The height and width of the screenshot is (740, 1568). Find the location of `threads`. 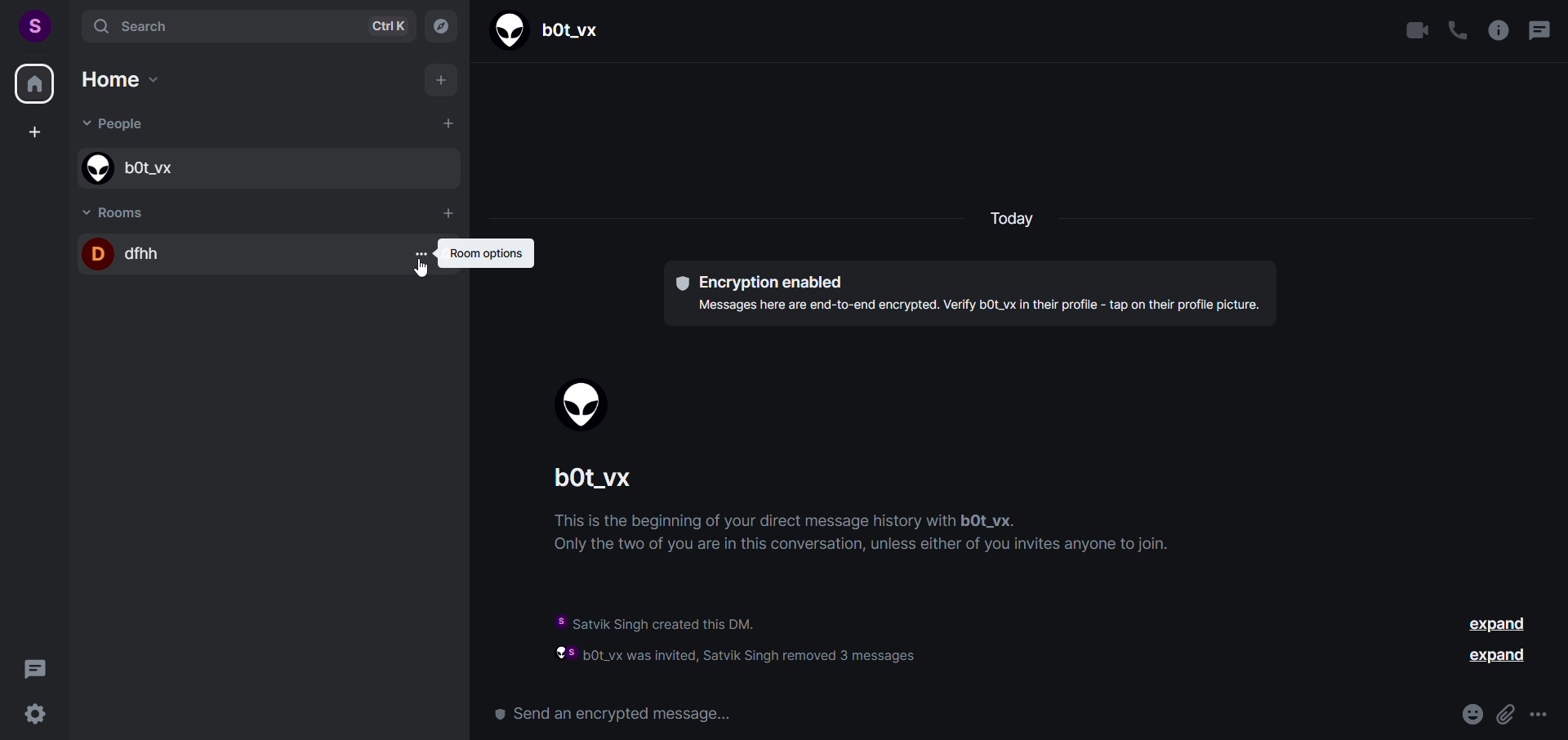

threads is located at coordinates (35, 666).